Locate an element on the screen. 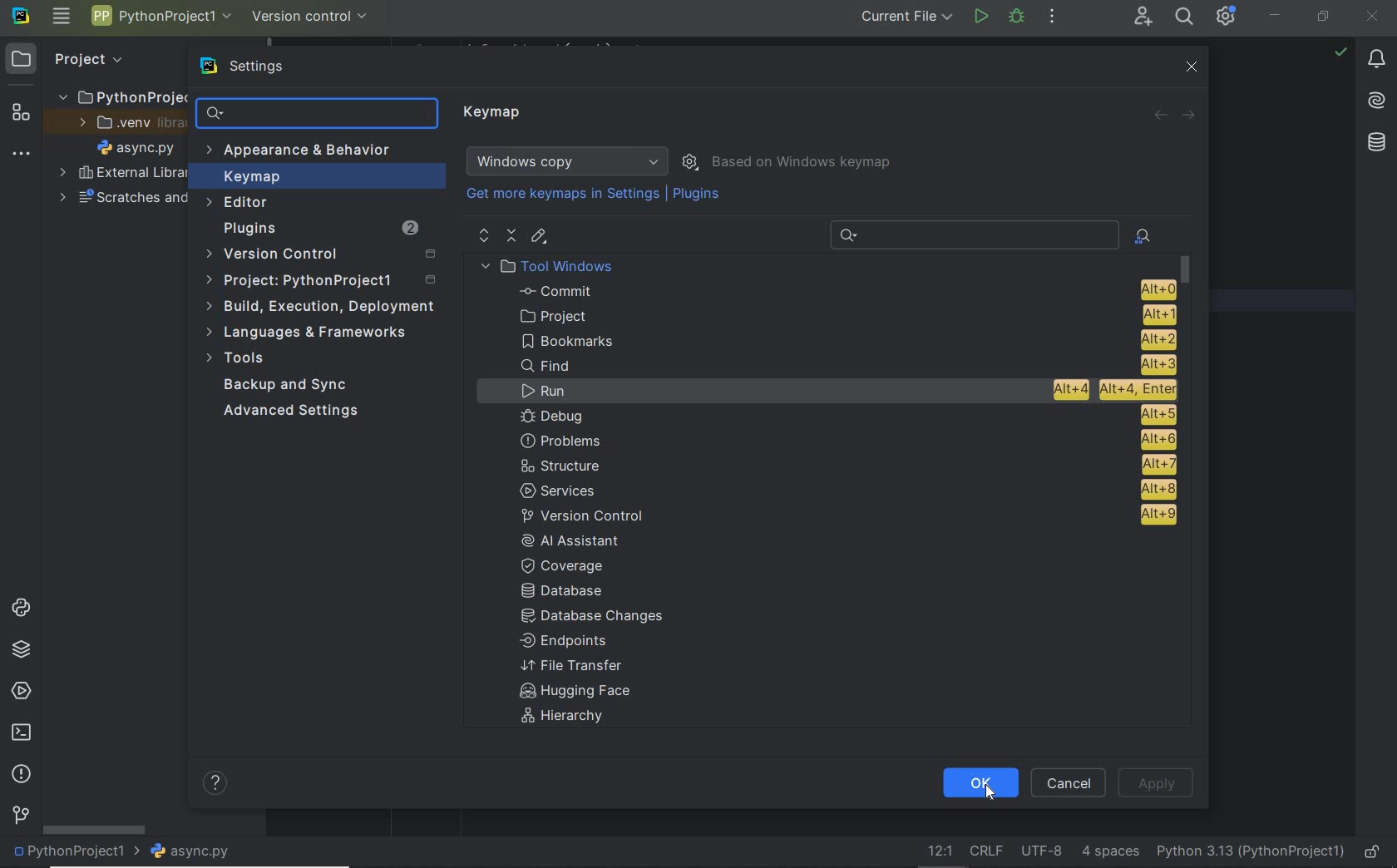 This screenshot has height=868, width=1397. scratches and consoles is located at coordinates (122, 199).